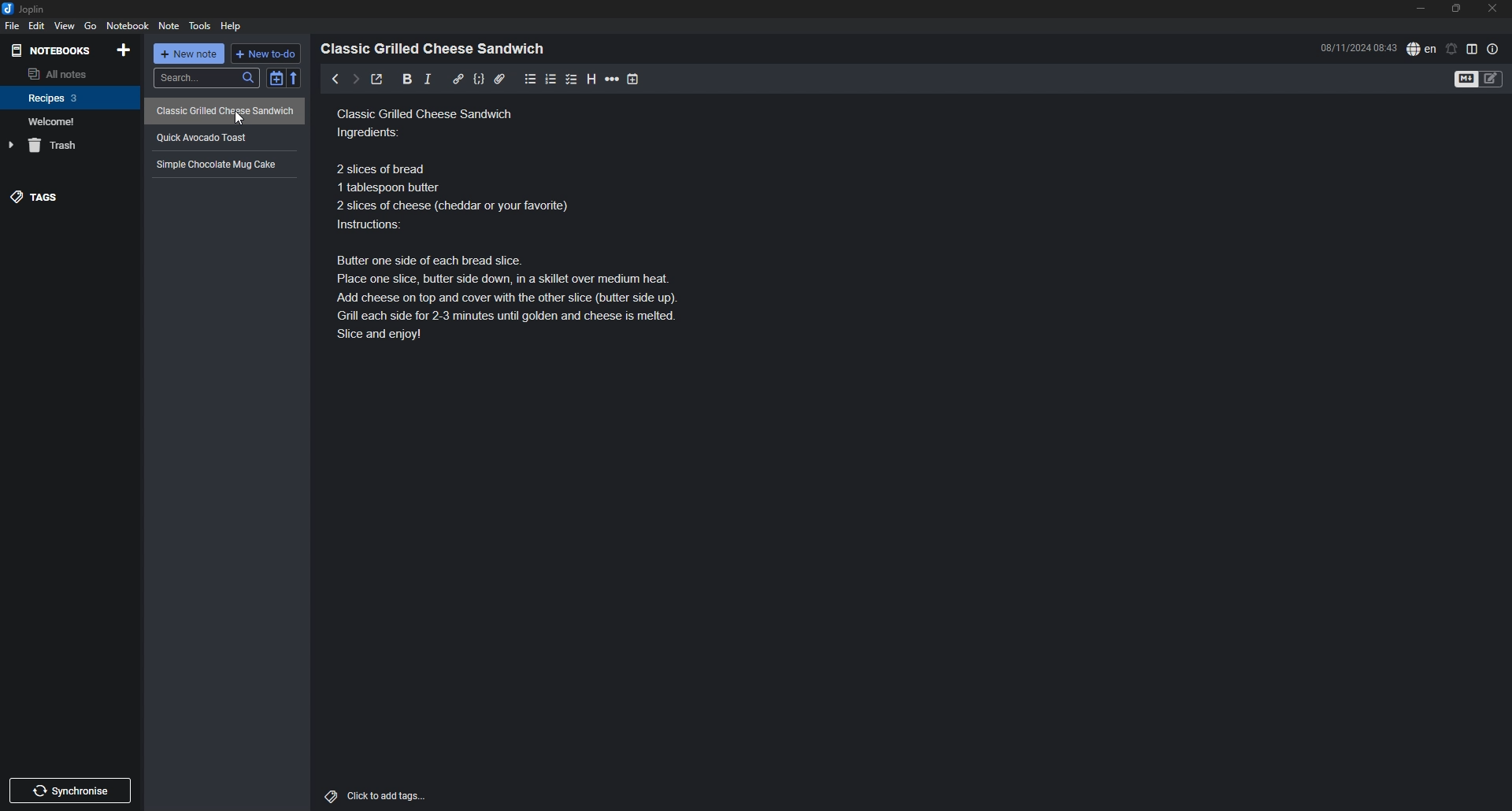 The image size is (1512, 811). I want to click on cursor, so click(239, 118).